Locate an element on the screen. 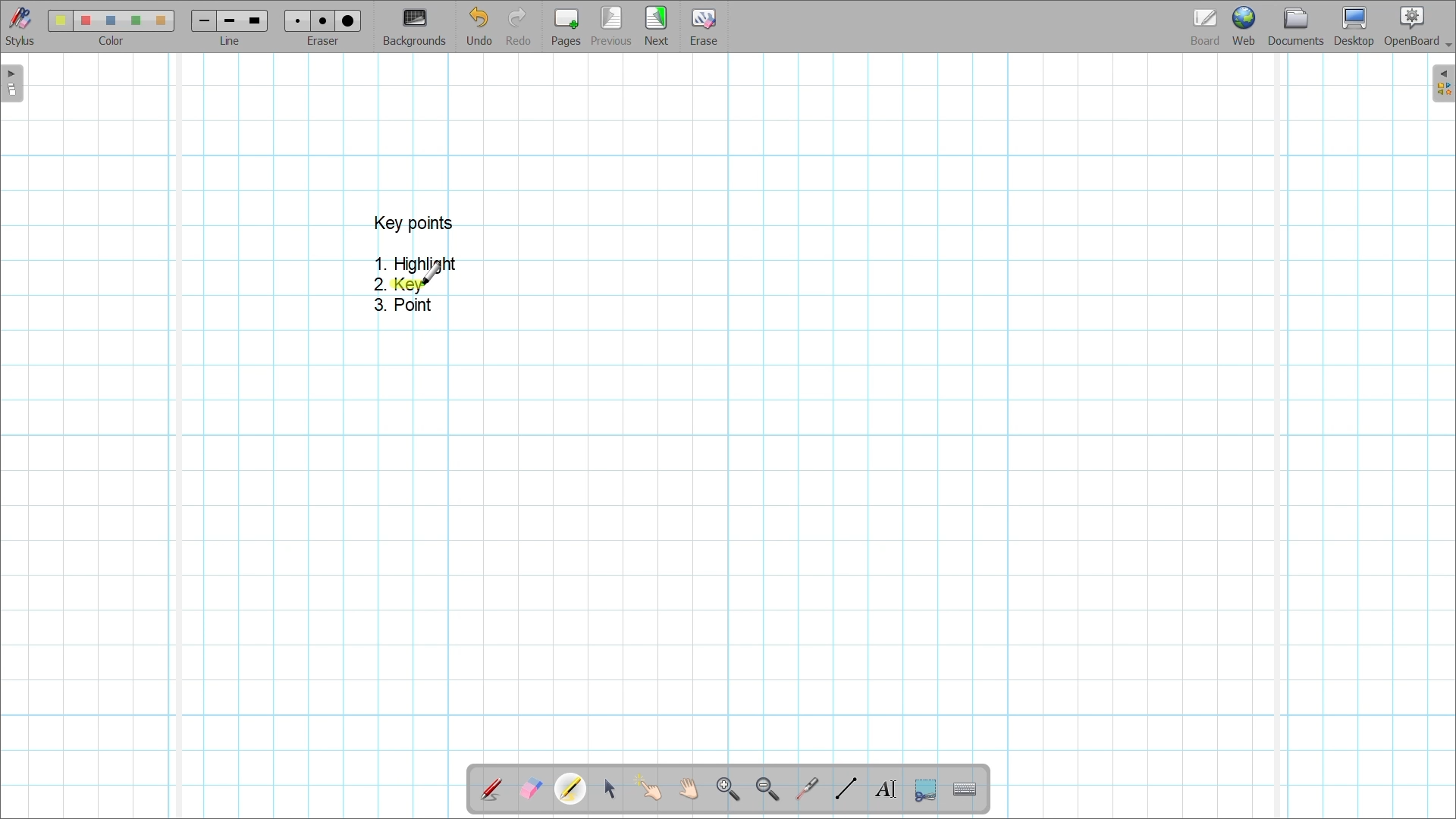  eraser is located at coordinates (326, 42).